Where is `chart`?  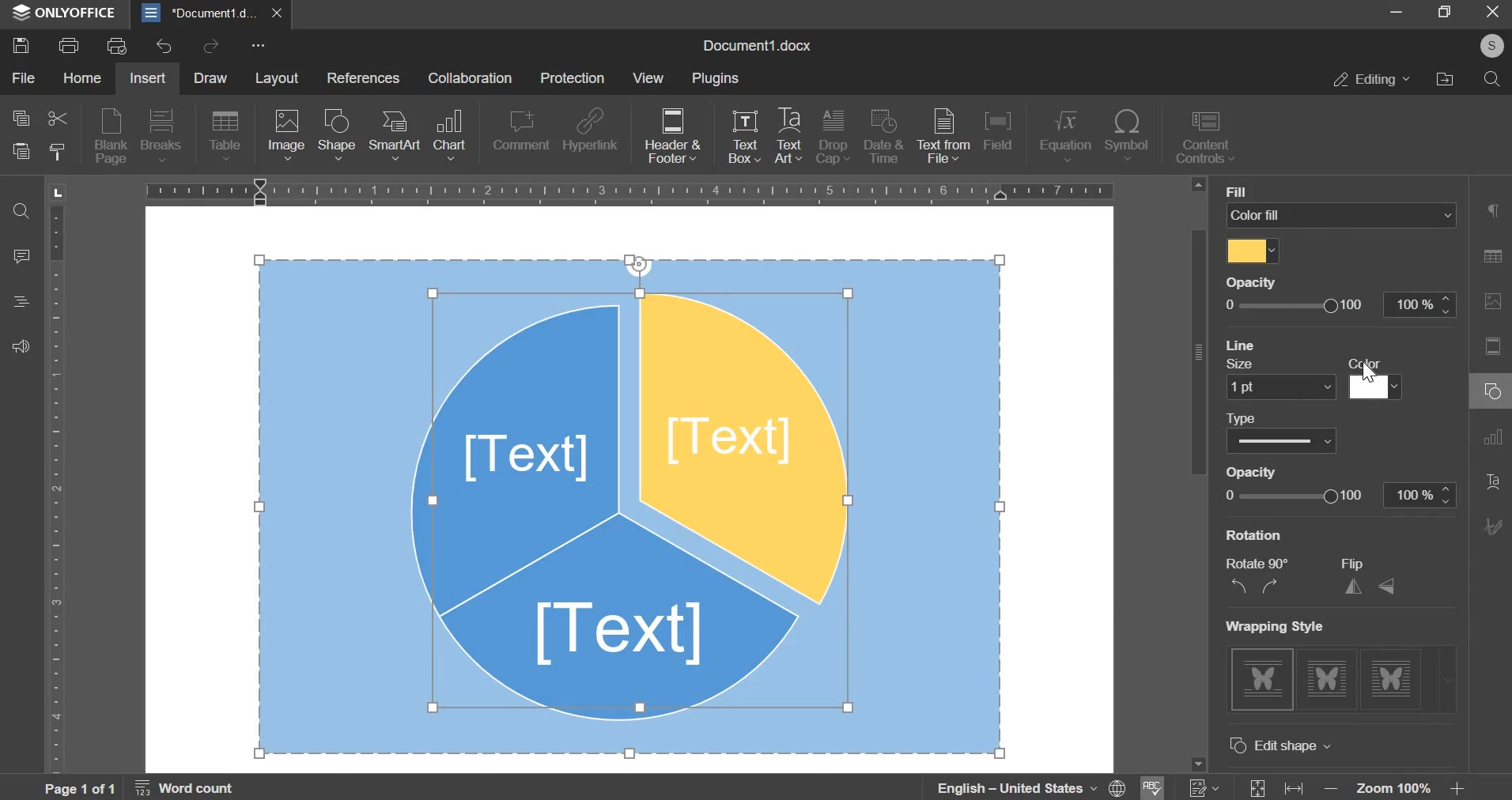 chart is located at coordinates (450, 135).